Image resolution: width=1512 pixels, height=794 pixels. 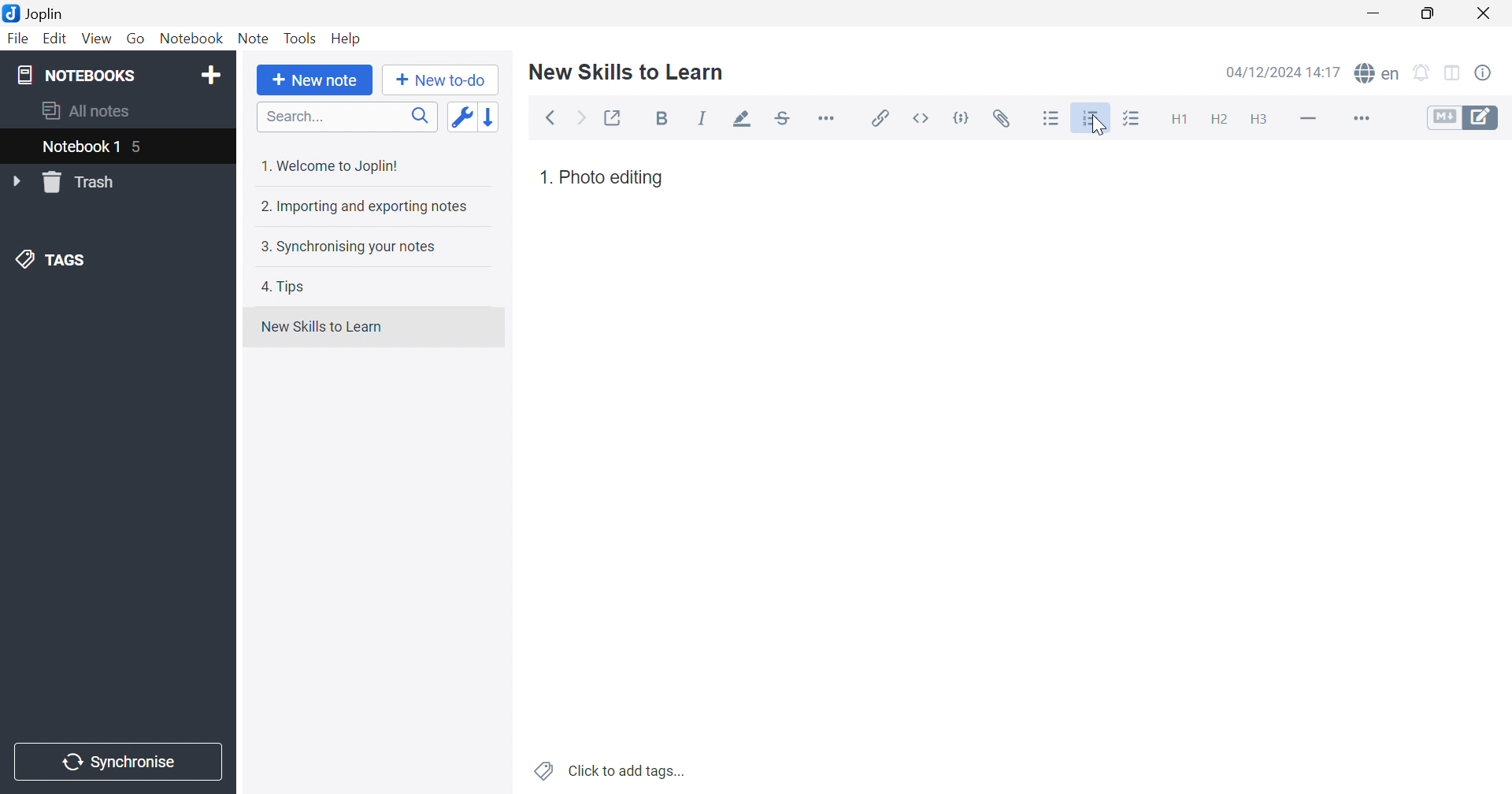 What do you see at coordinates (612, 772) in the screenshot?
I see `Click to add tags...` at bounding box center [612, 772].